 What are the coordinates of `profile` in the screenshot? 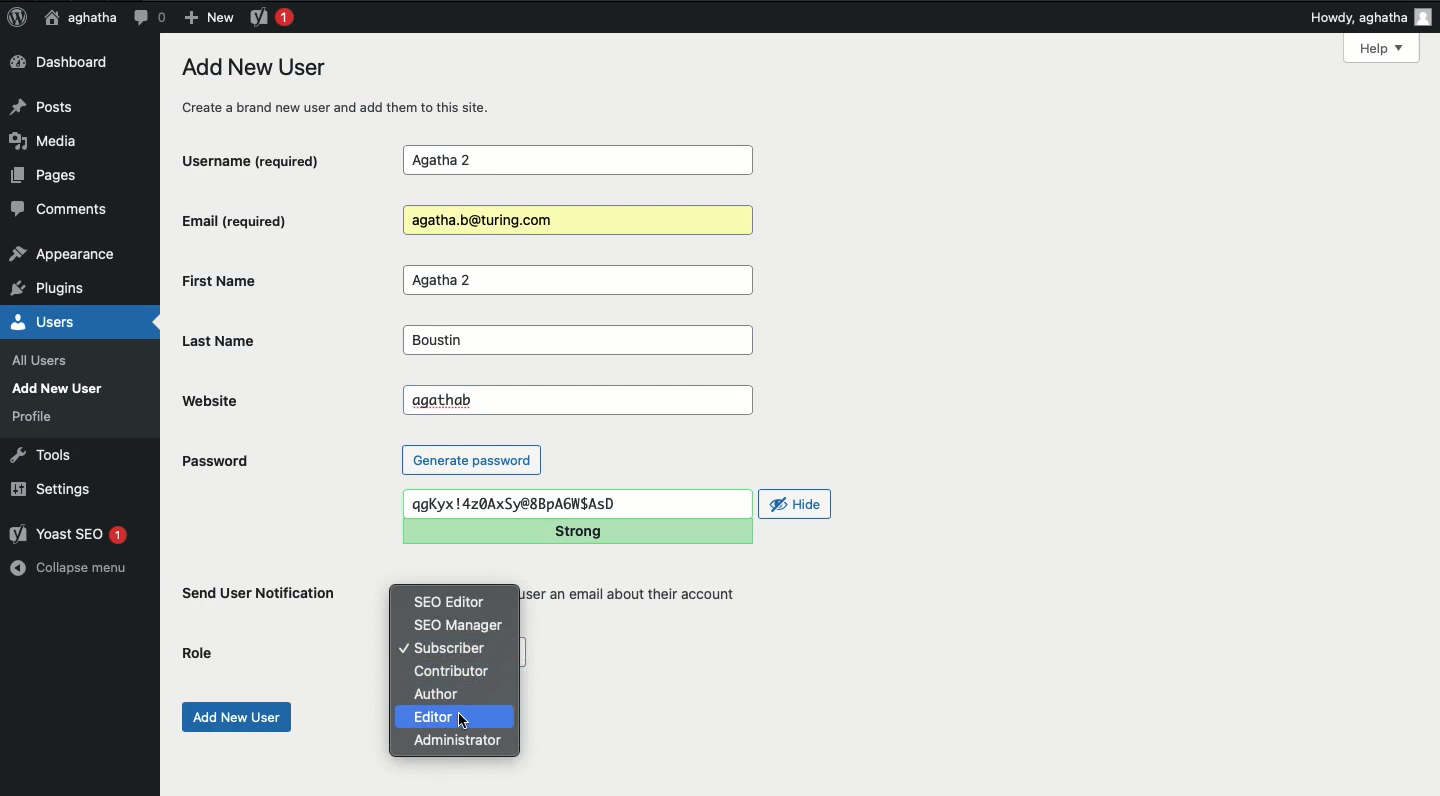 It's located at (38, 416).